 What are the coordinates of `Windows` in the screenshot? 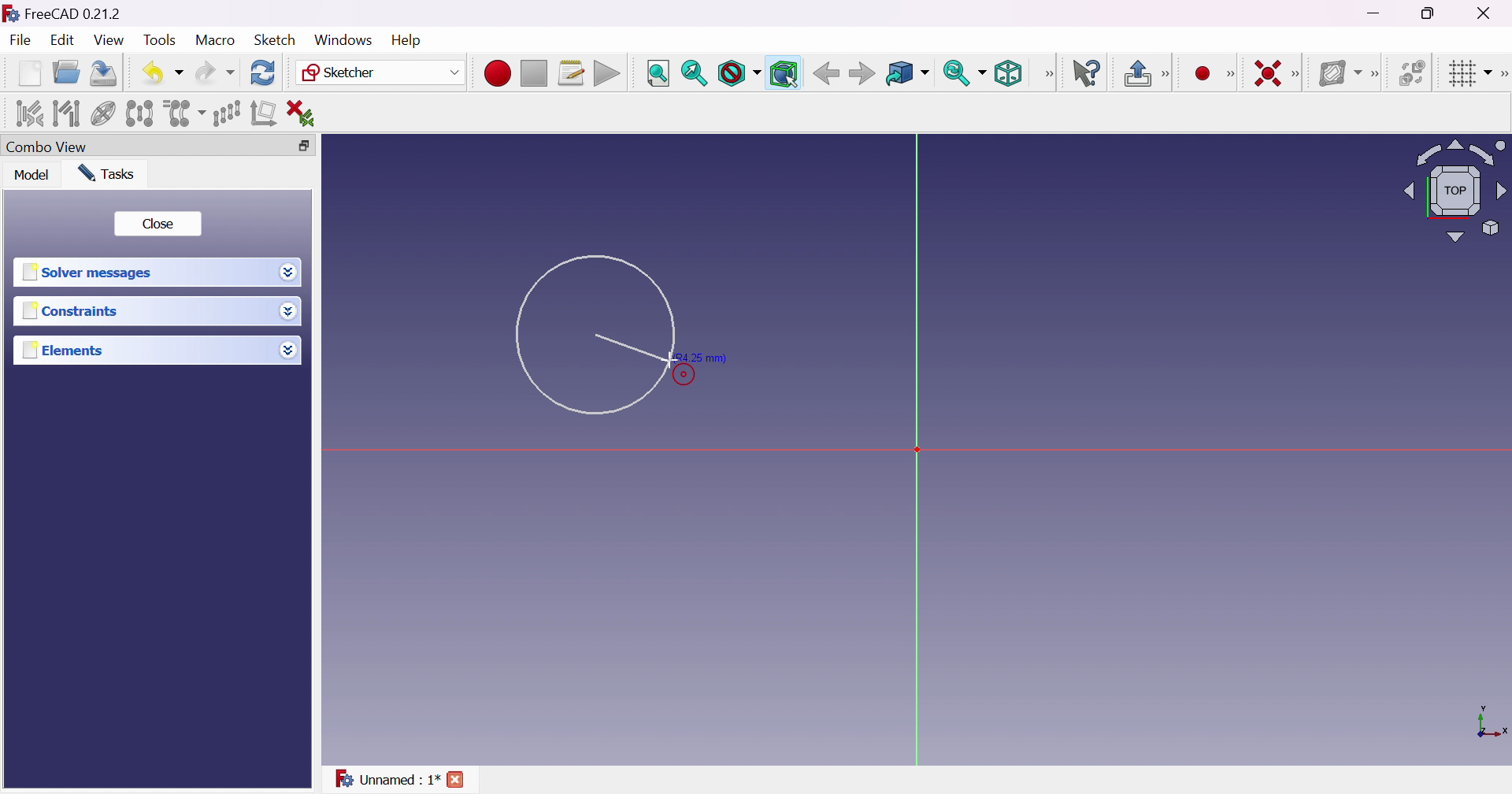 It's located at (343, 39).